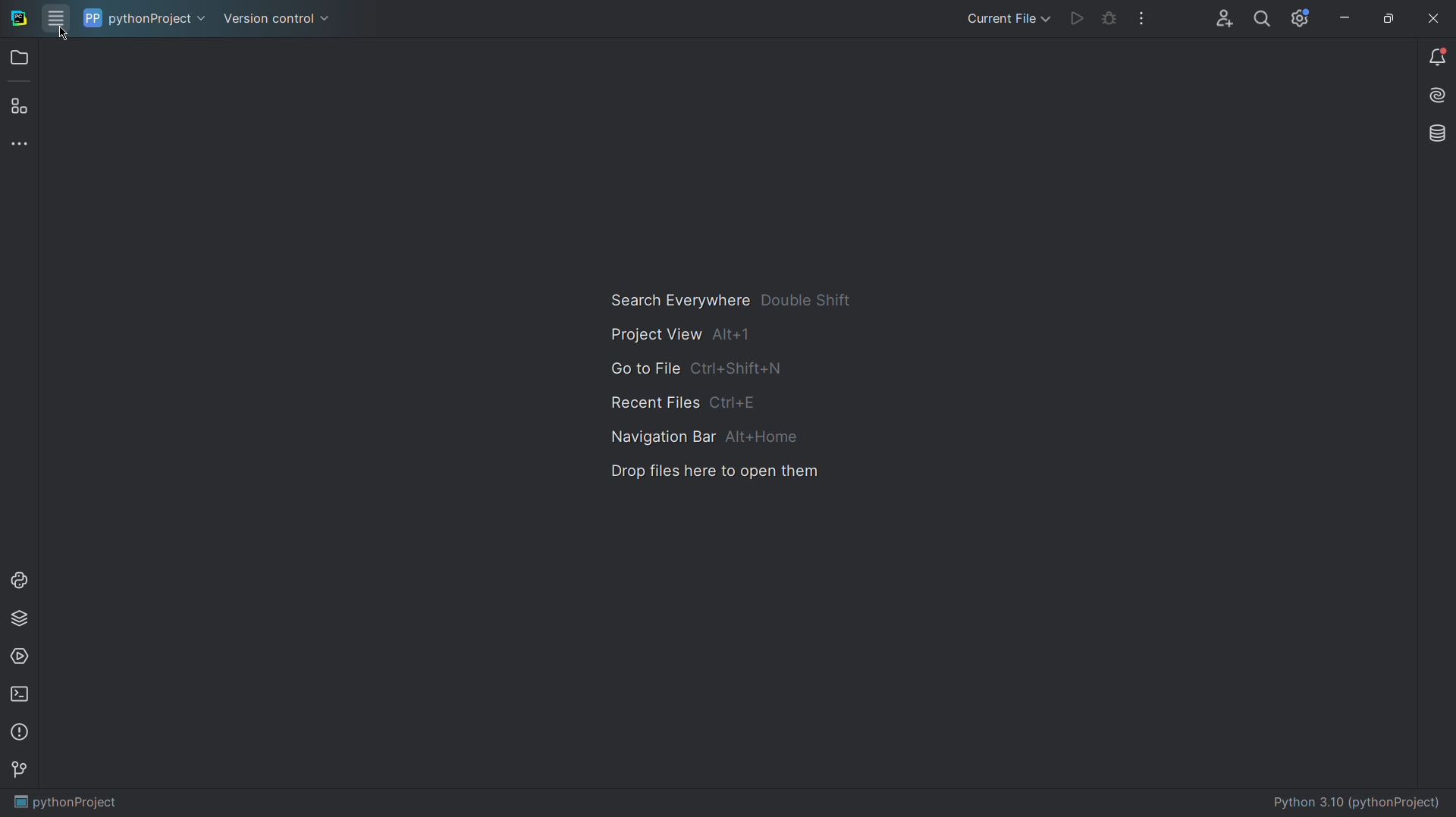 The image size is (1456, 817). Describe the element at coordinates (698, 369) in the screenshot. I see `Go to File` at that location.